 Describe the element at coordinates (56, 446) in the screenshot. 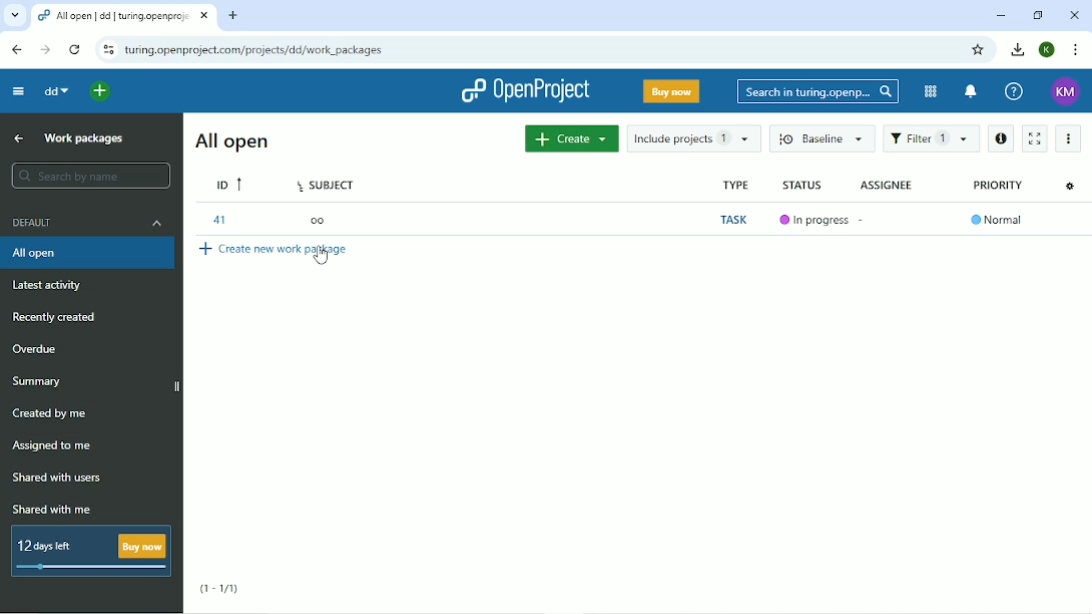

I see `Assigned to me` at that location.